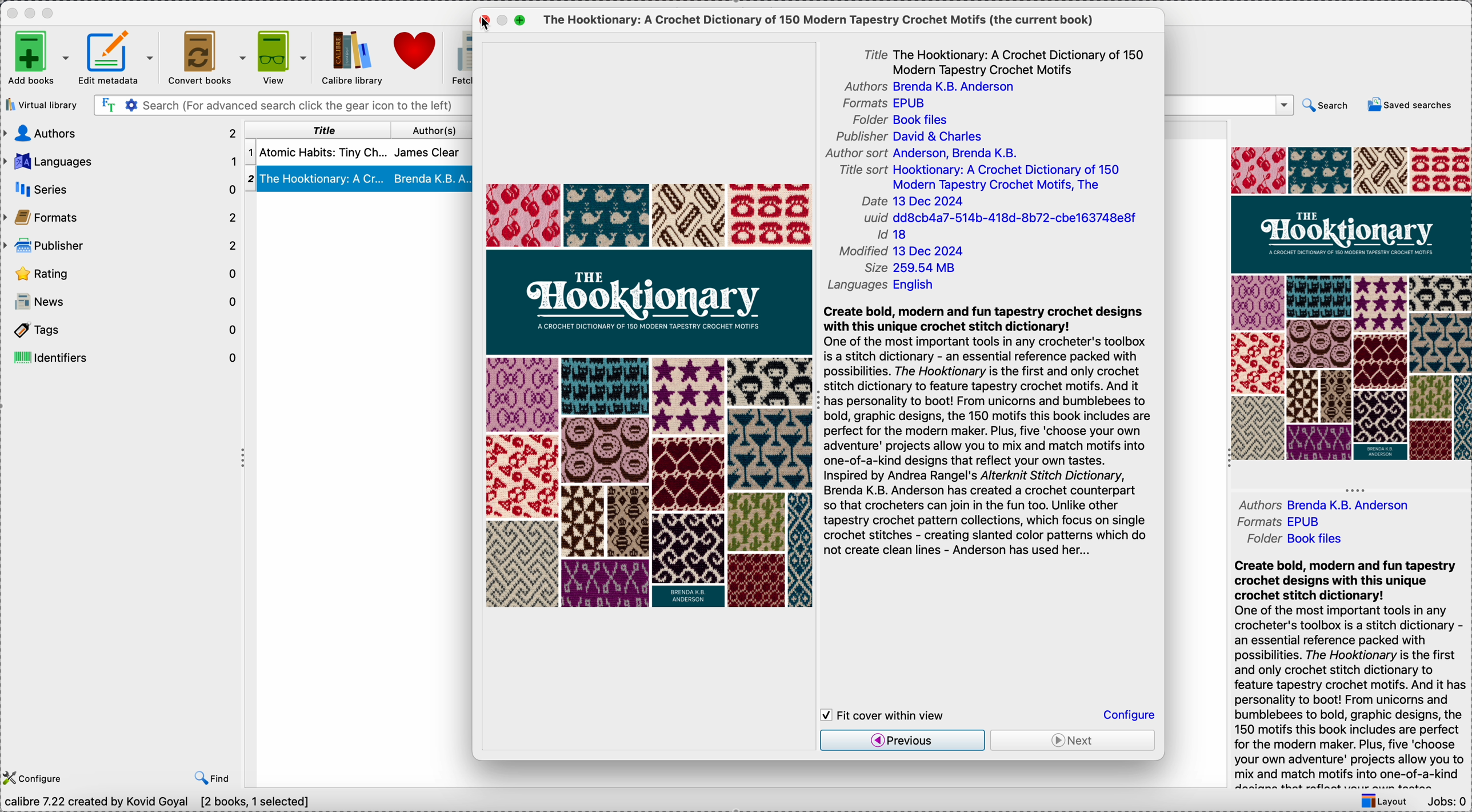 The image size is (1472, 812). Describe the element at coordinates (121, 58) in the screenshot. I see `edit metadata` at that location.